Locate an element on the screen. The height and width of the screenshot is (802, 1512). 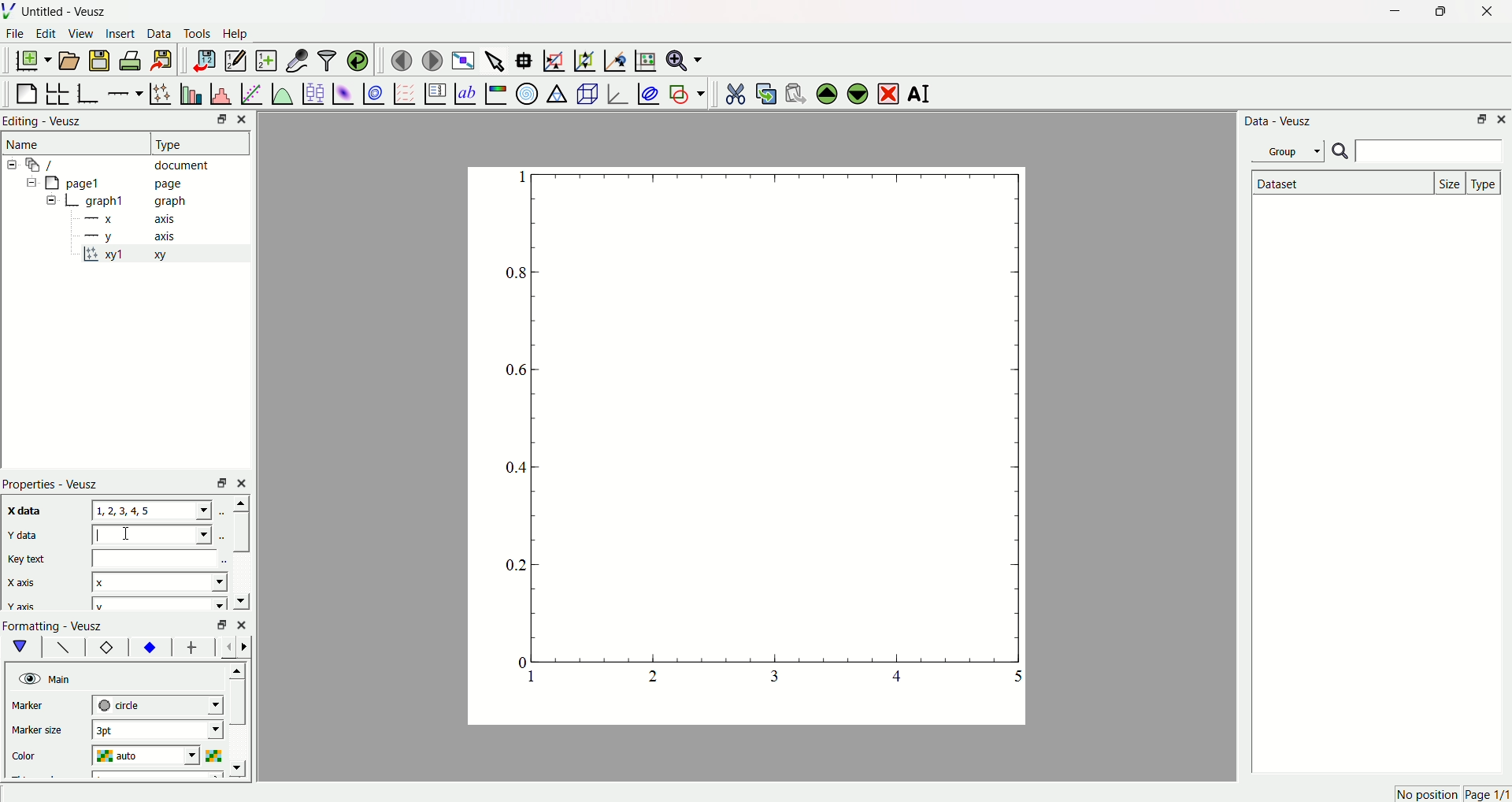
arrange graphs is located at coordinates (60, 91).